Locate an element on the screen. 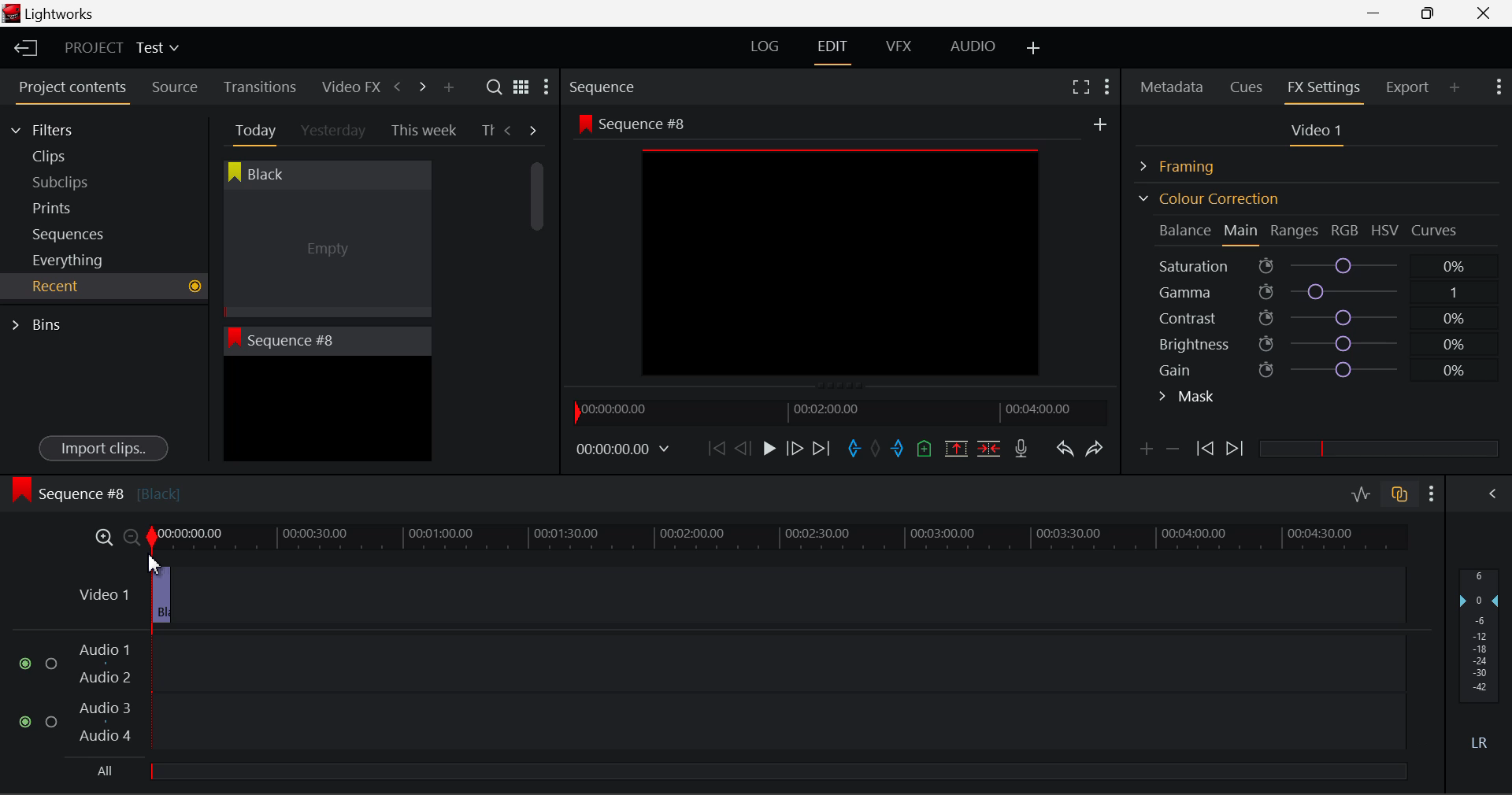  Toggle list and title view is located at coordinates (521, 87).